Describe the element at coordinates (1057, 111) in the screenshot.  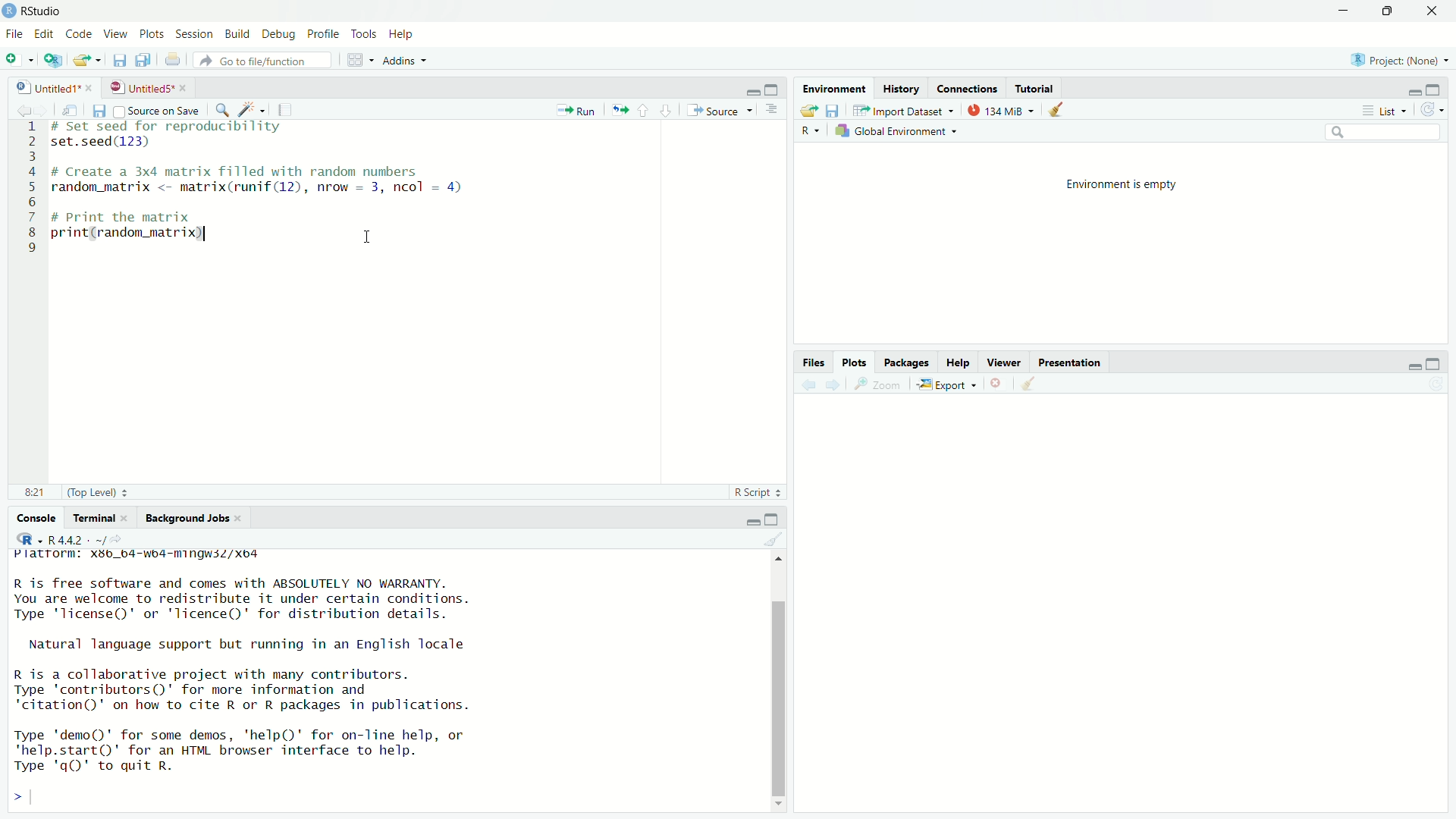
I see `clear` at that location.